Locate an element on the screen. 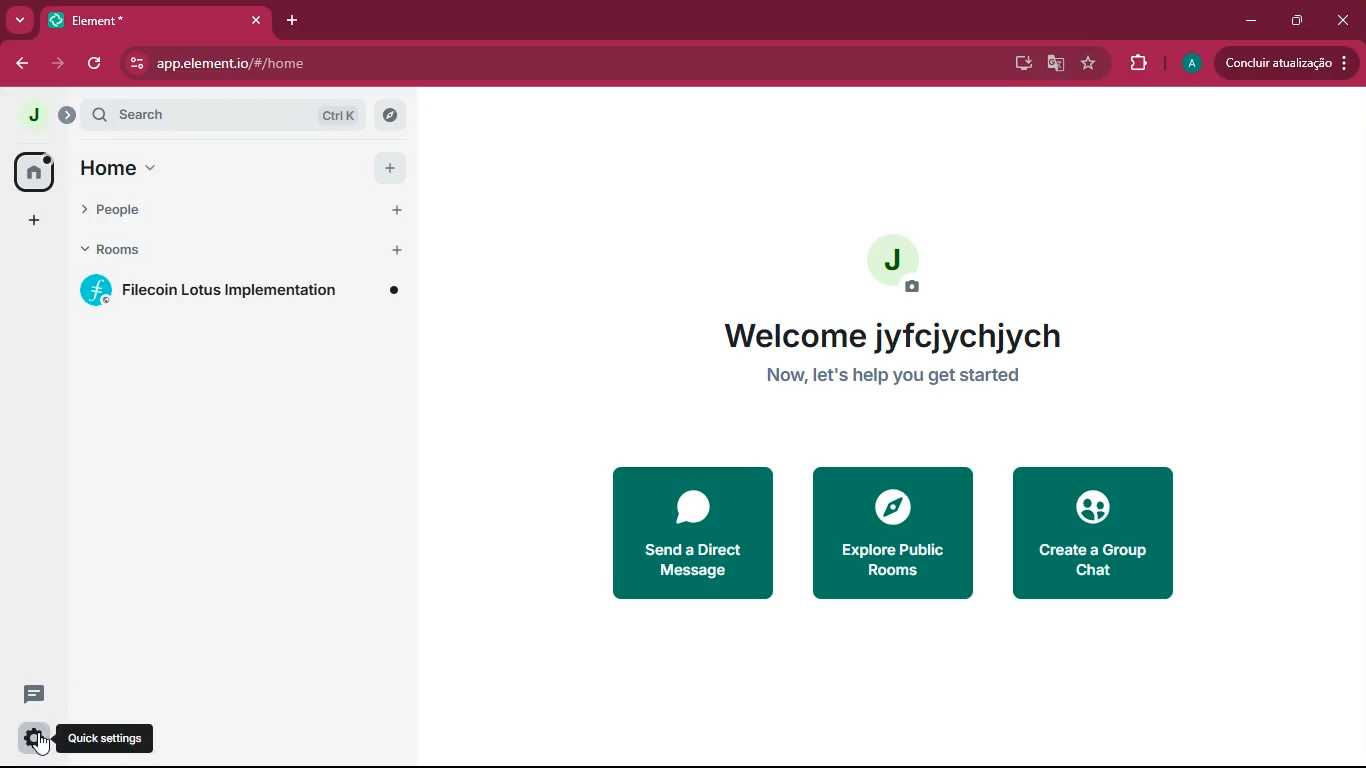  welcome jyfcjychjych is located at coordinates (896, 337).